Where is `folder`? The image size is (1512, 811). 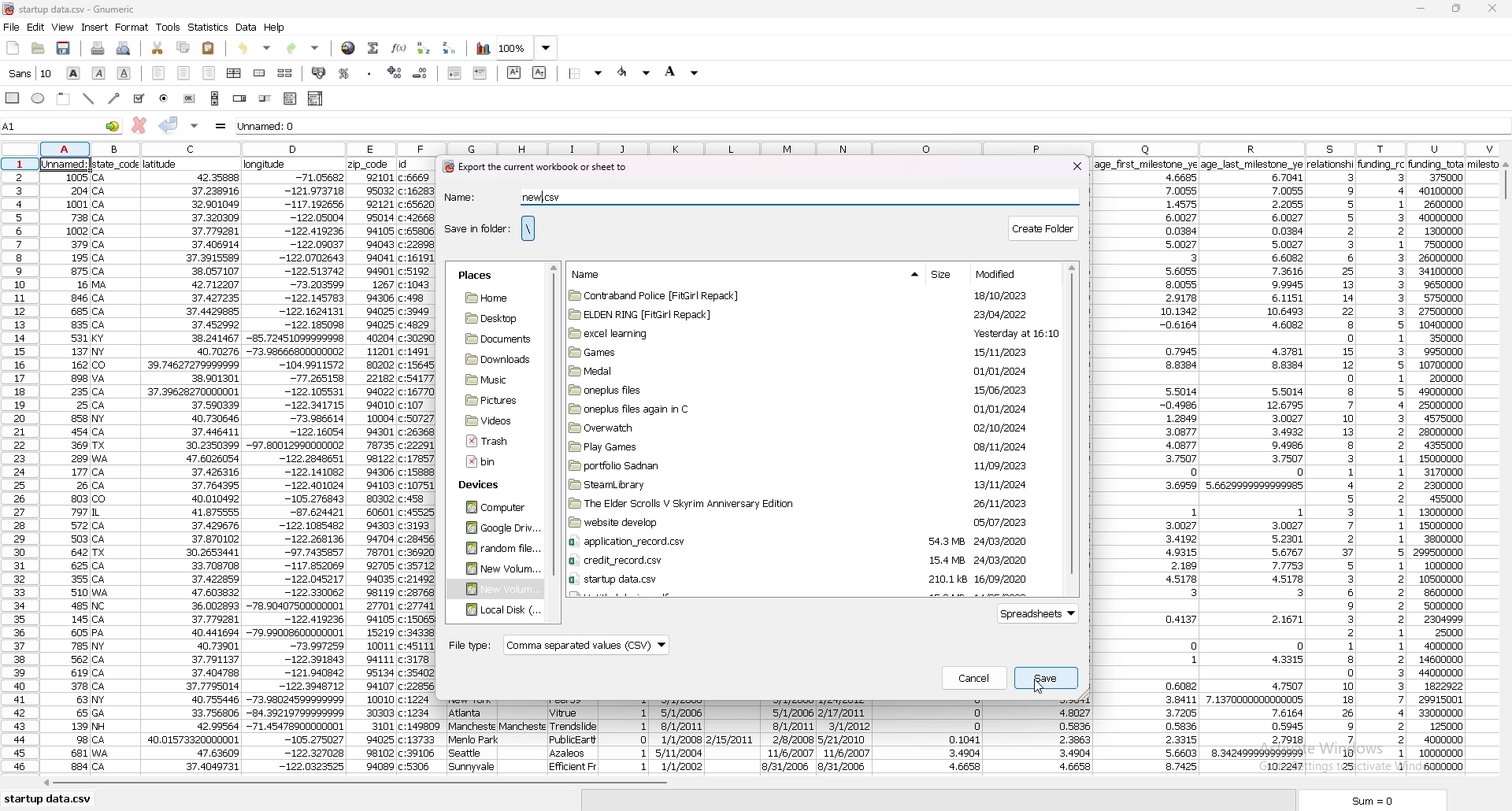
folder is located at coordinates (491, 380).